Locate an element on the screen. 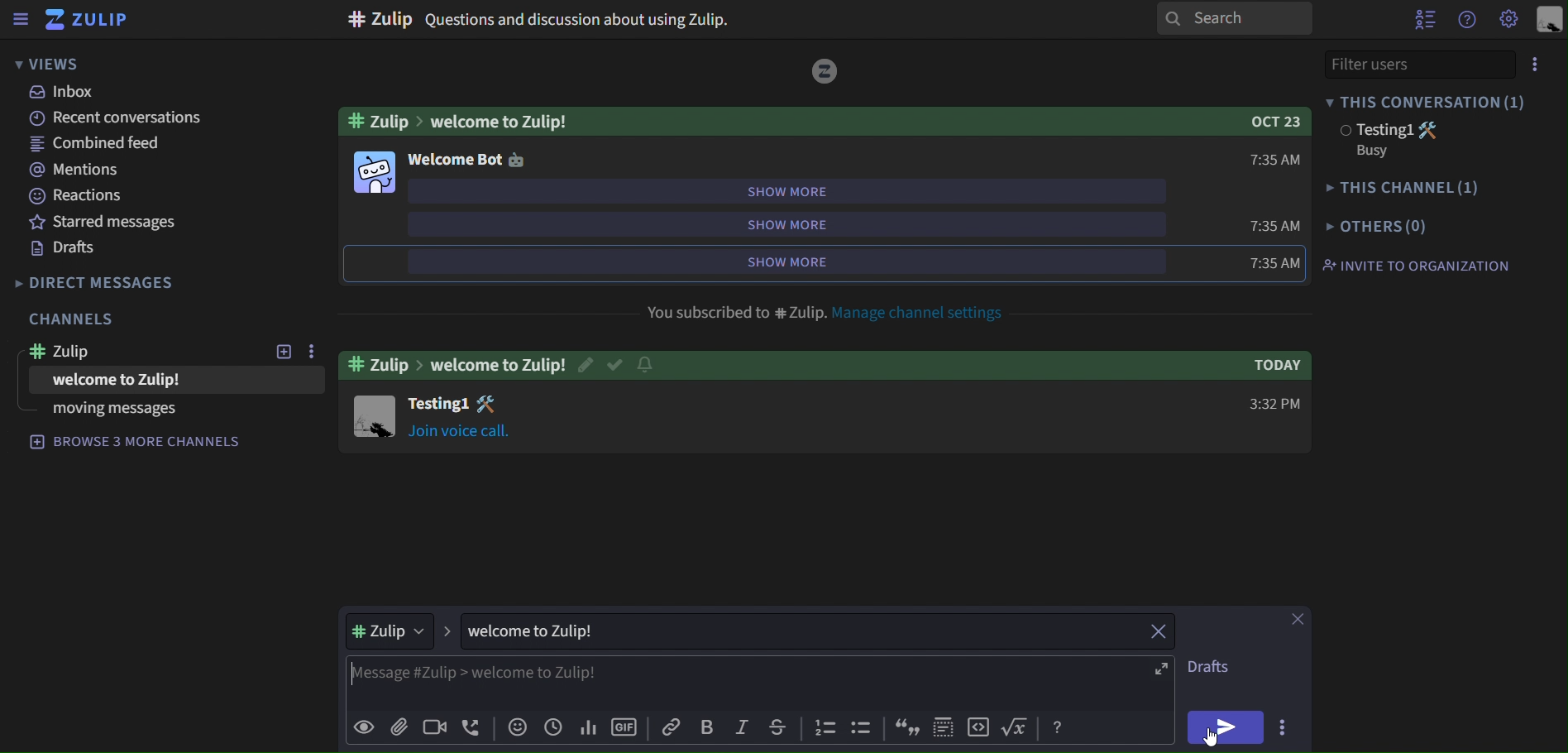 This screenshot has height=753, width=1568. show more is located at coordinates (825, 191).